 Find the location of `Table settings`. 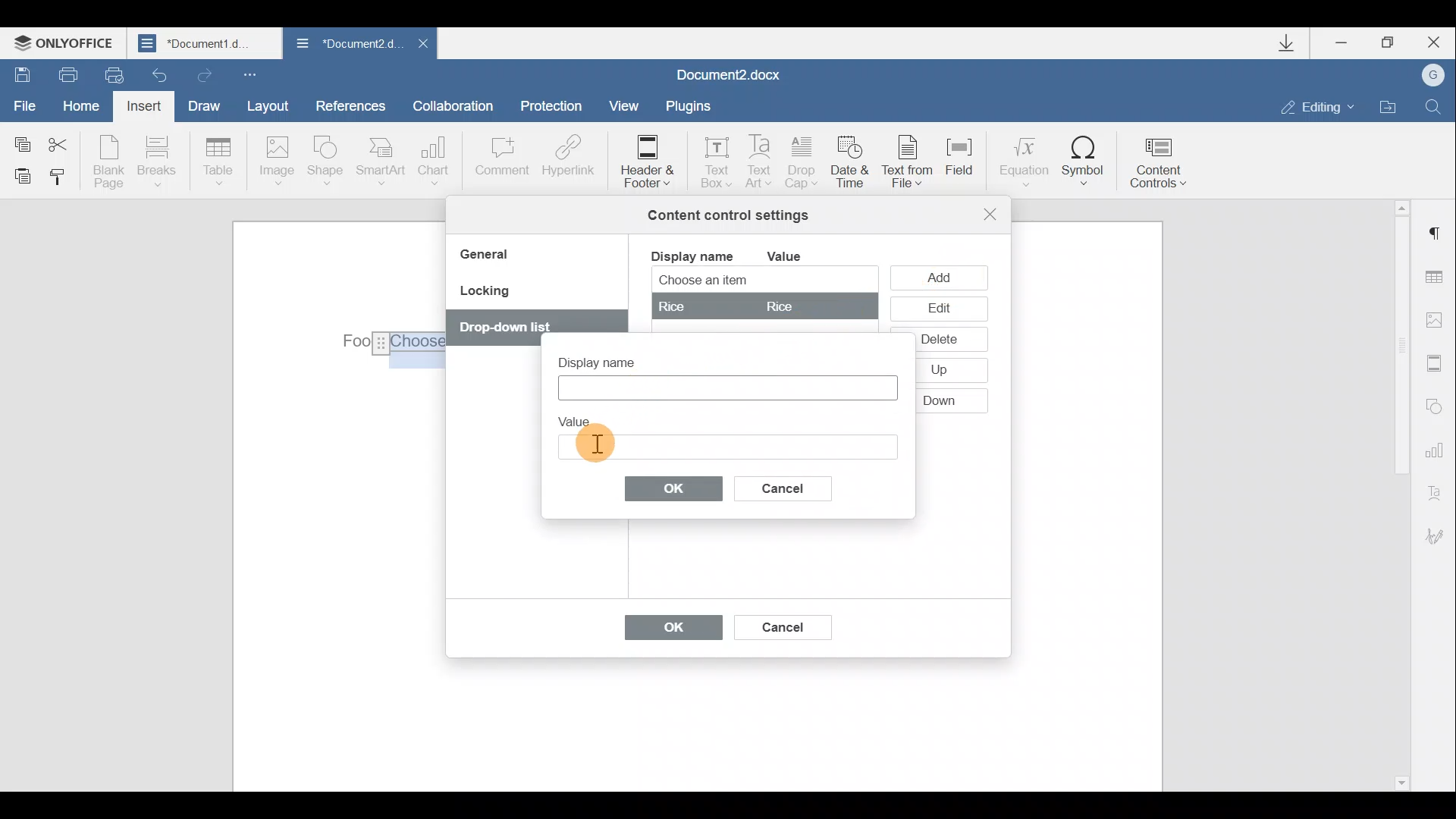

Table settings is located at coordinates (1439, 279).